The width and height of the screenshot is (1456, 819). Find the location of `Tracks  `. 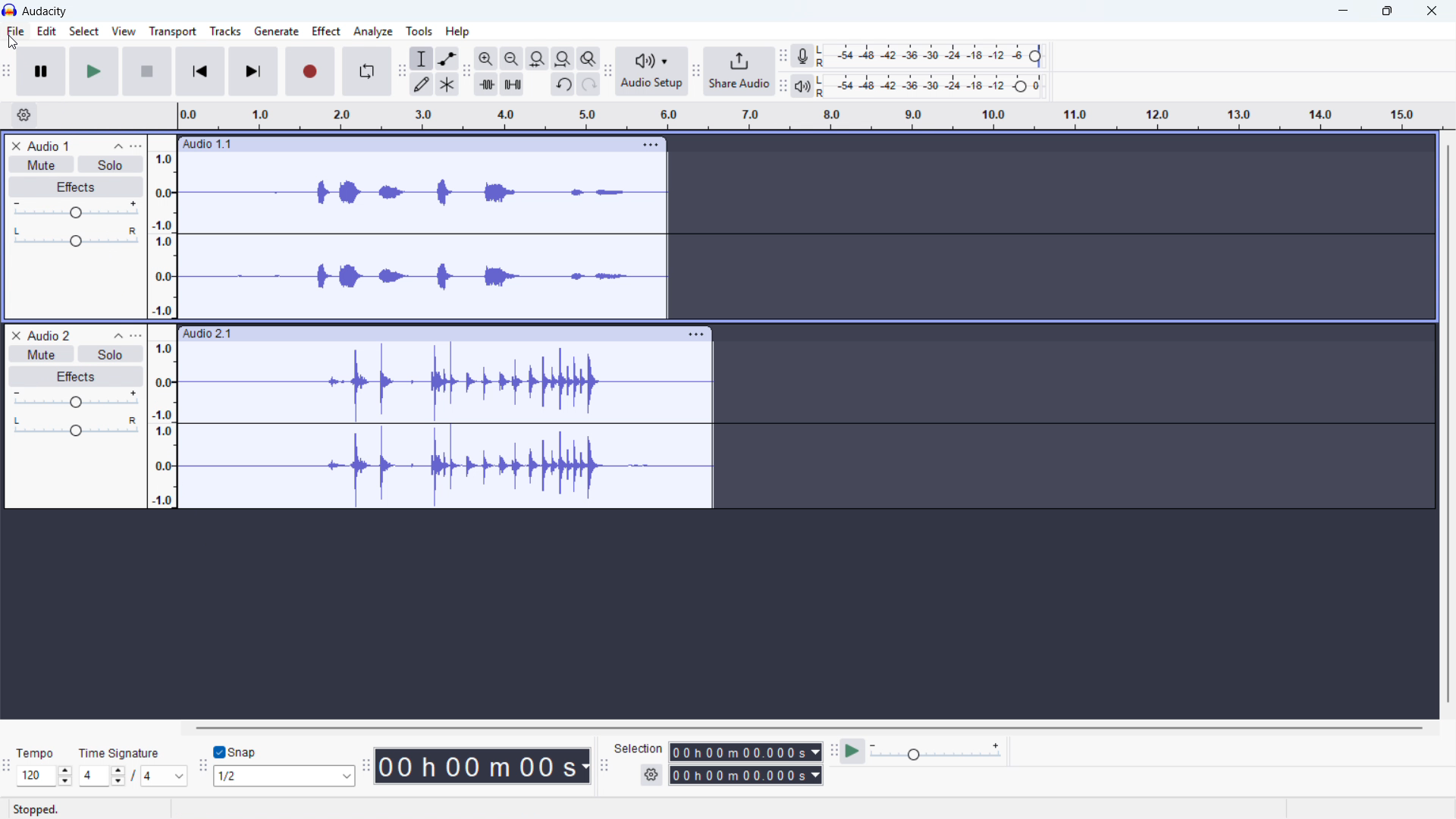

Tracks   is located at coordinates (224, 30).